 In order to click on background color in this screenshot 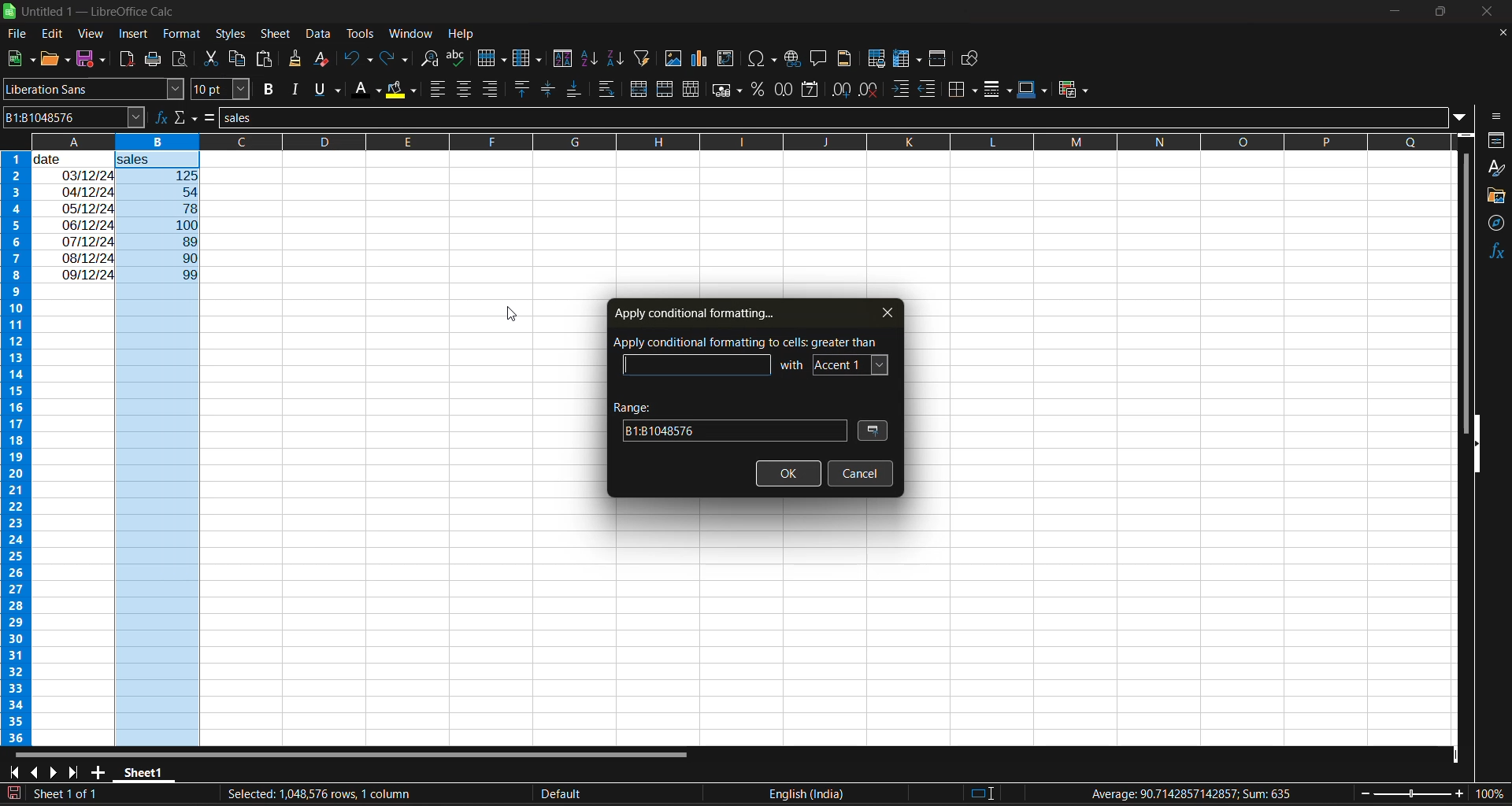, I will do `click(401, 91)`.